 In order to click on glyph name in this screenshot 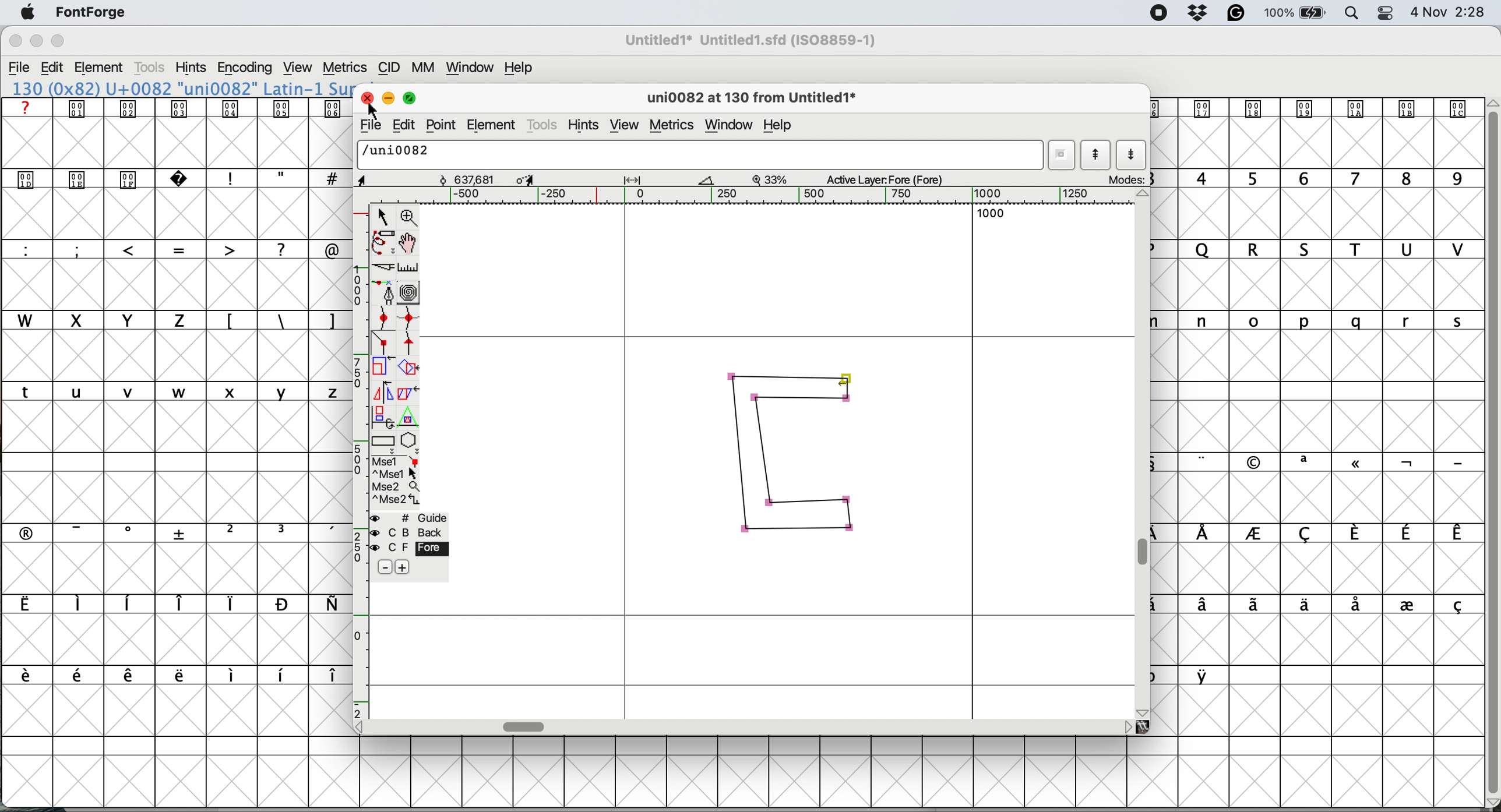, I will do `click(749, 99)`.